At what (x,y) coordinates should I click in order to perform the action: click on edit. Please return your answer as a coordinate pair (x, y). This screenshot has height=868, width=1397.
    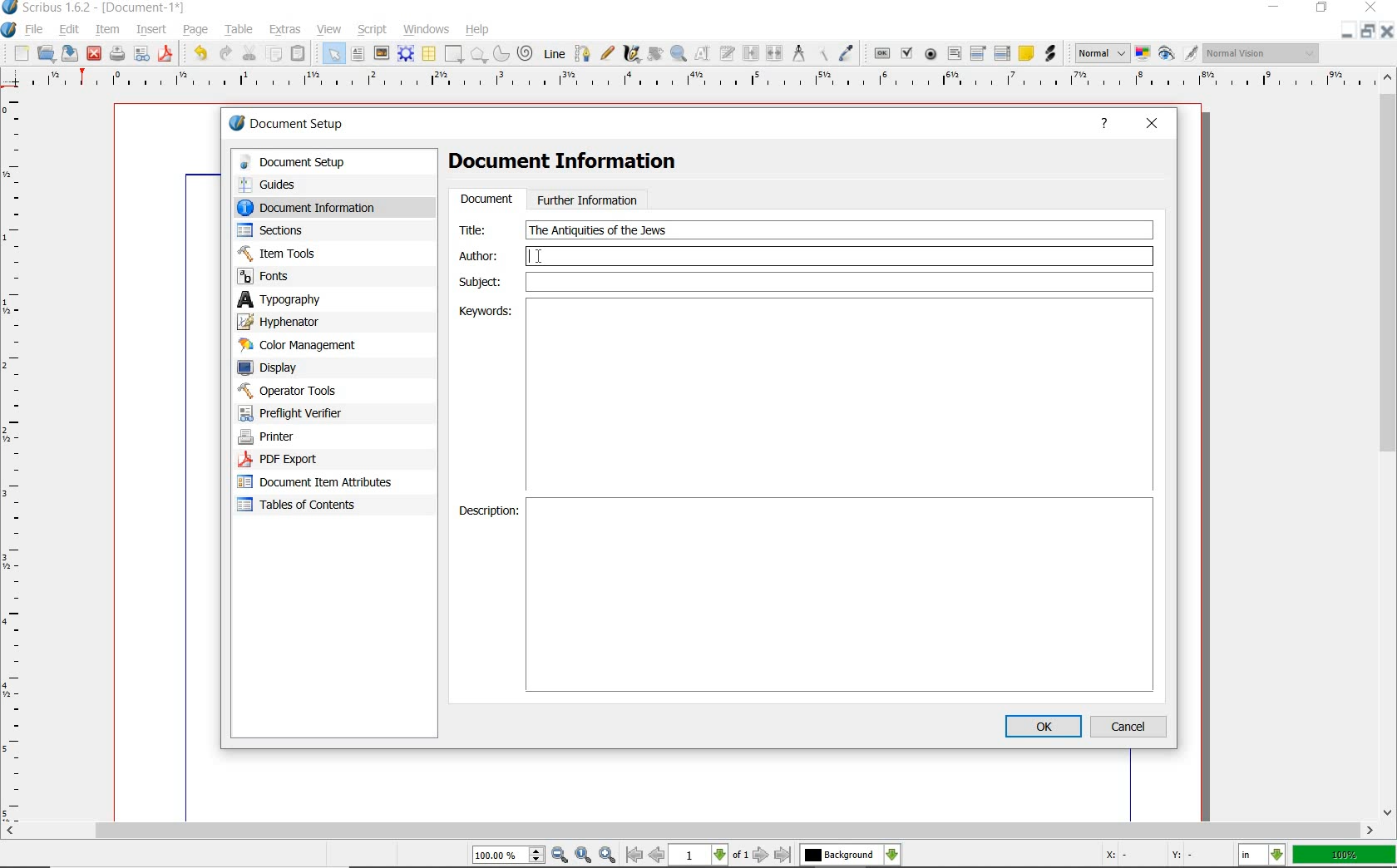
    Looking at the image, I should click on (70, 29).